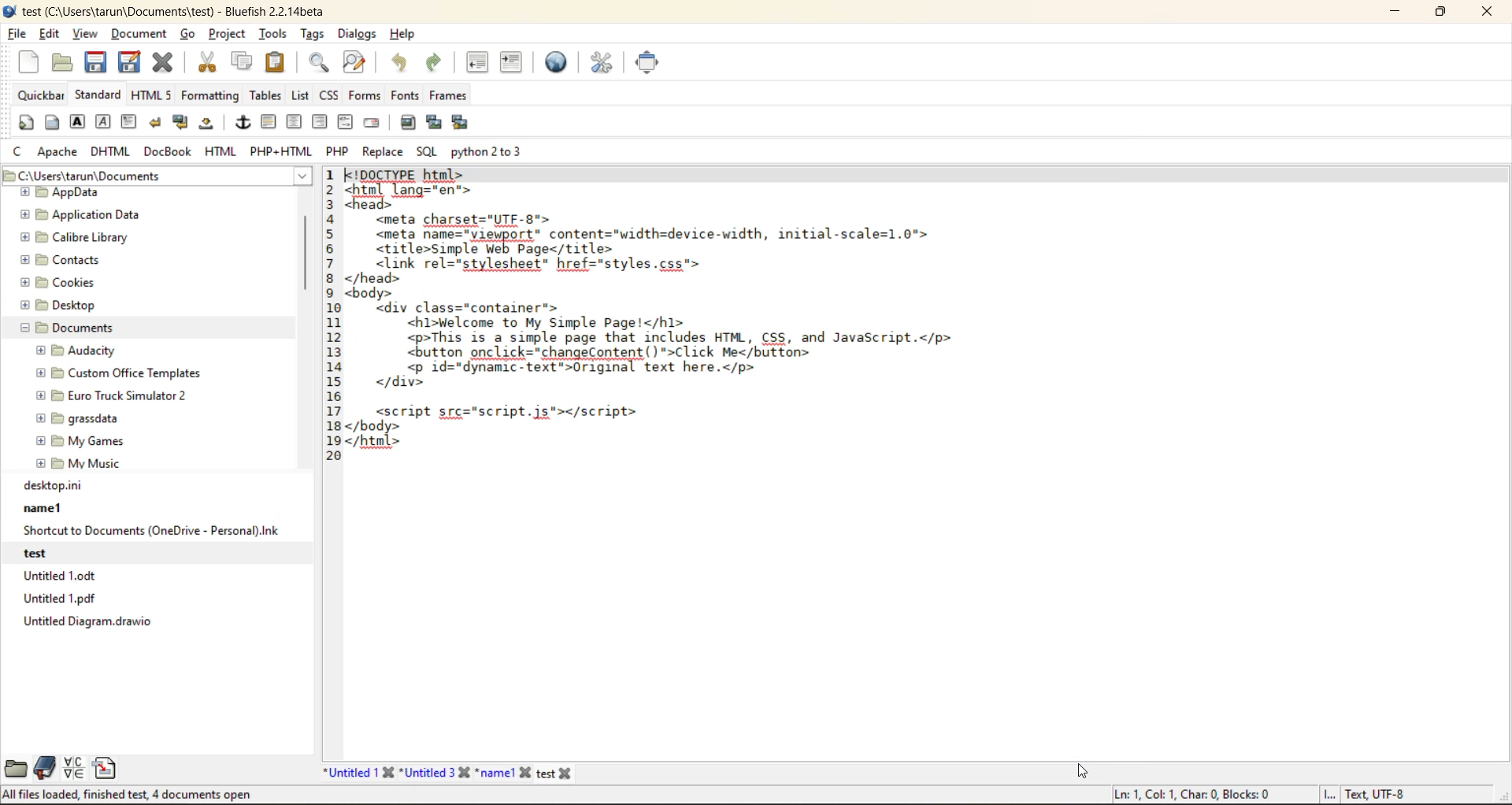  Describe the element at coordinates (481, 63) in the screenshot. I see `unindent ` at that location.